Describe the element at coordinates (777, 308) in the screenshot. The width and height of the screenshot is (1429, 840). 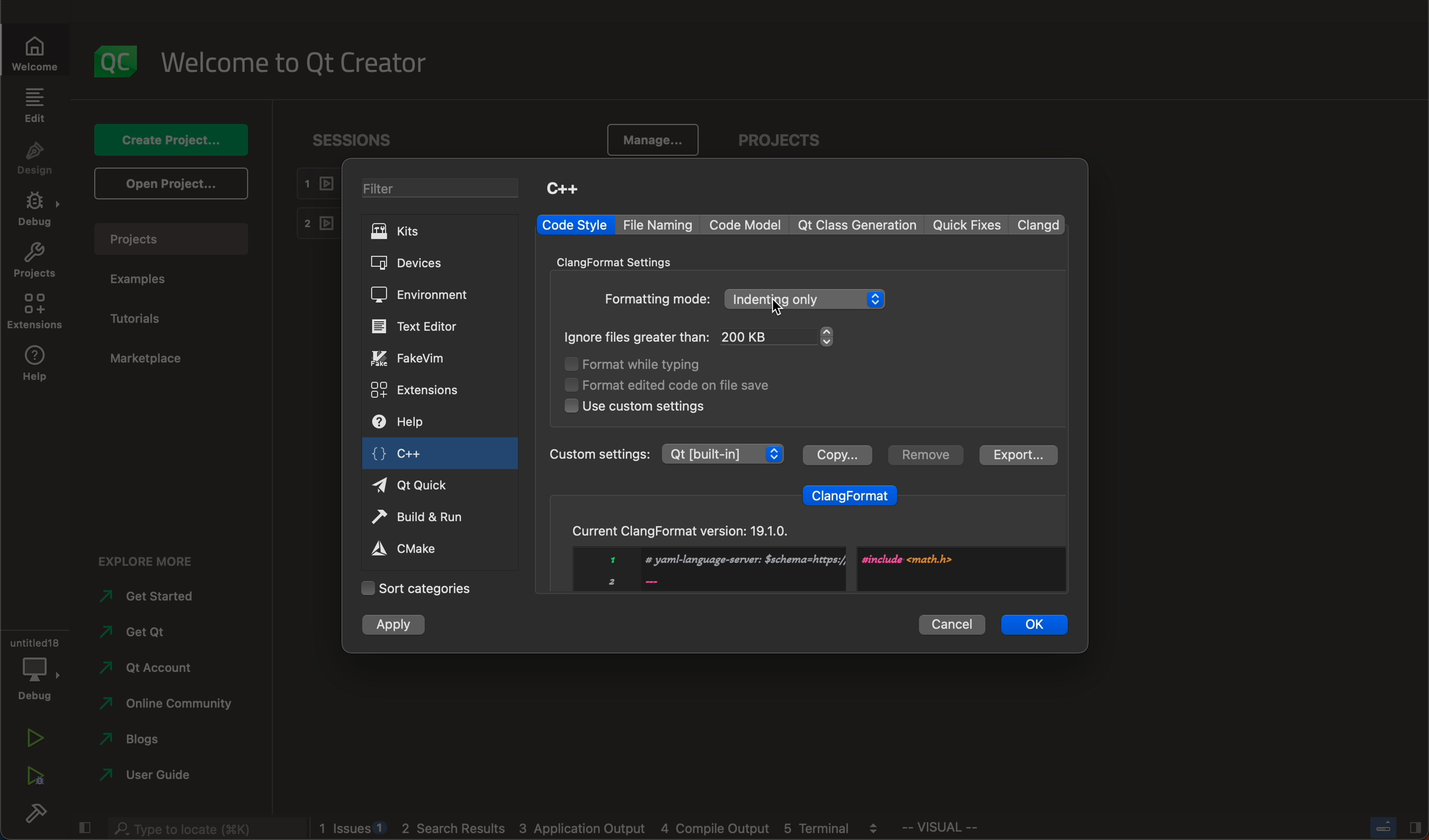
I see `Cursor` at that location.